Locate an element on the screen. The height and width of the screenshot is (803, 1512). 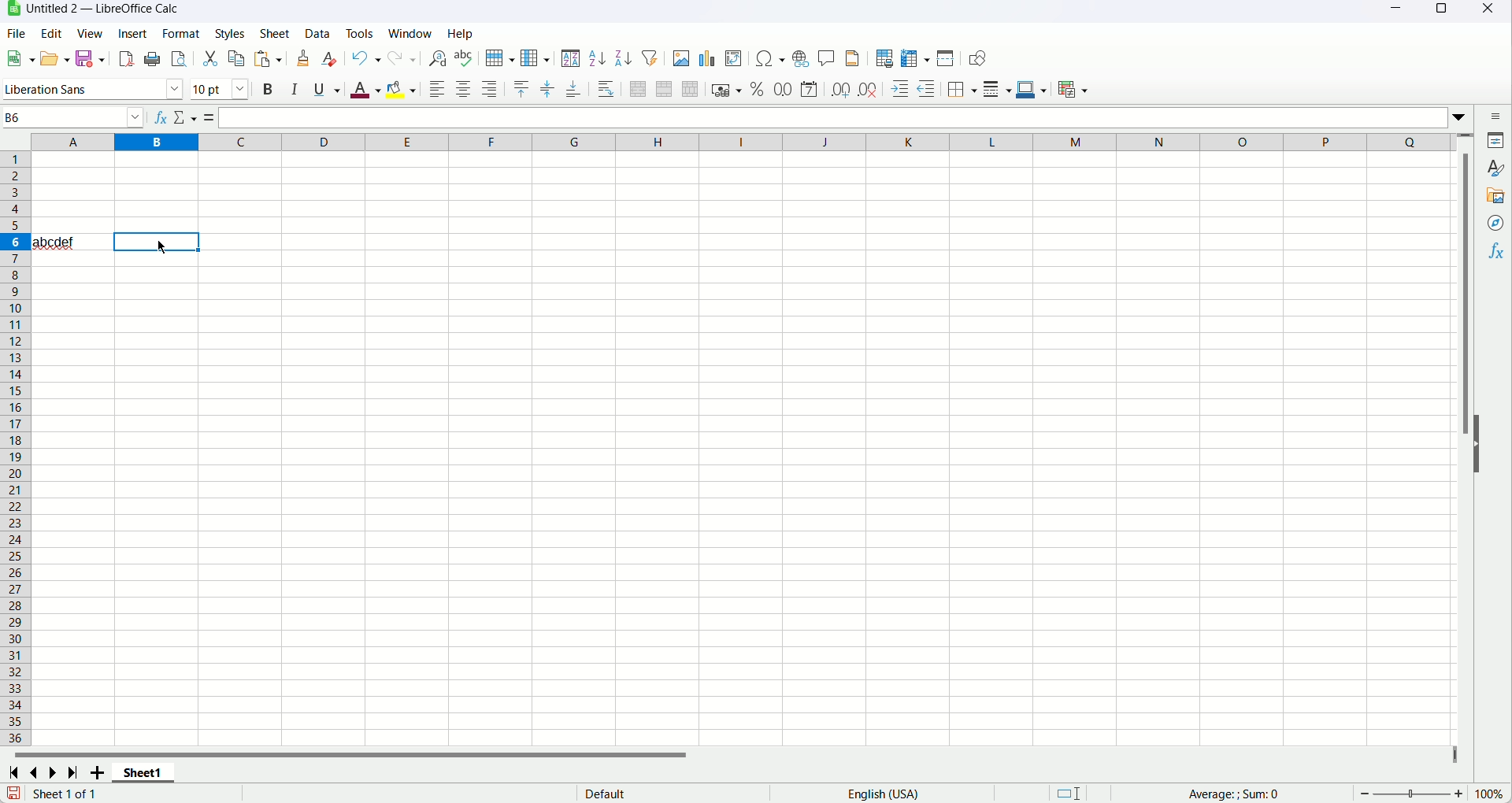
insert hyperlink is located at coordinates (800, 58).